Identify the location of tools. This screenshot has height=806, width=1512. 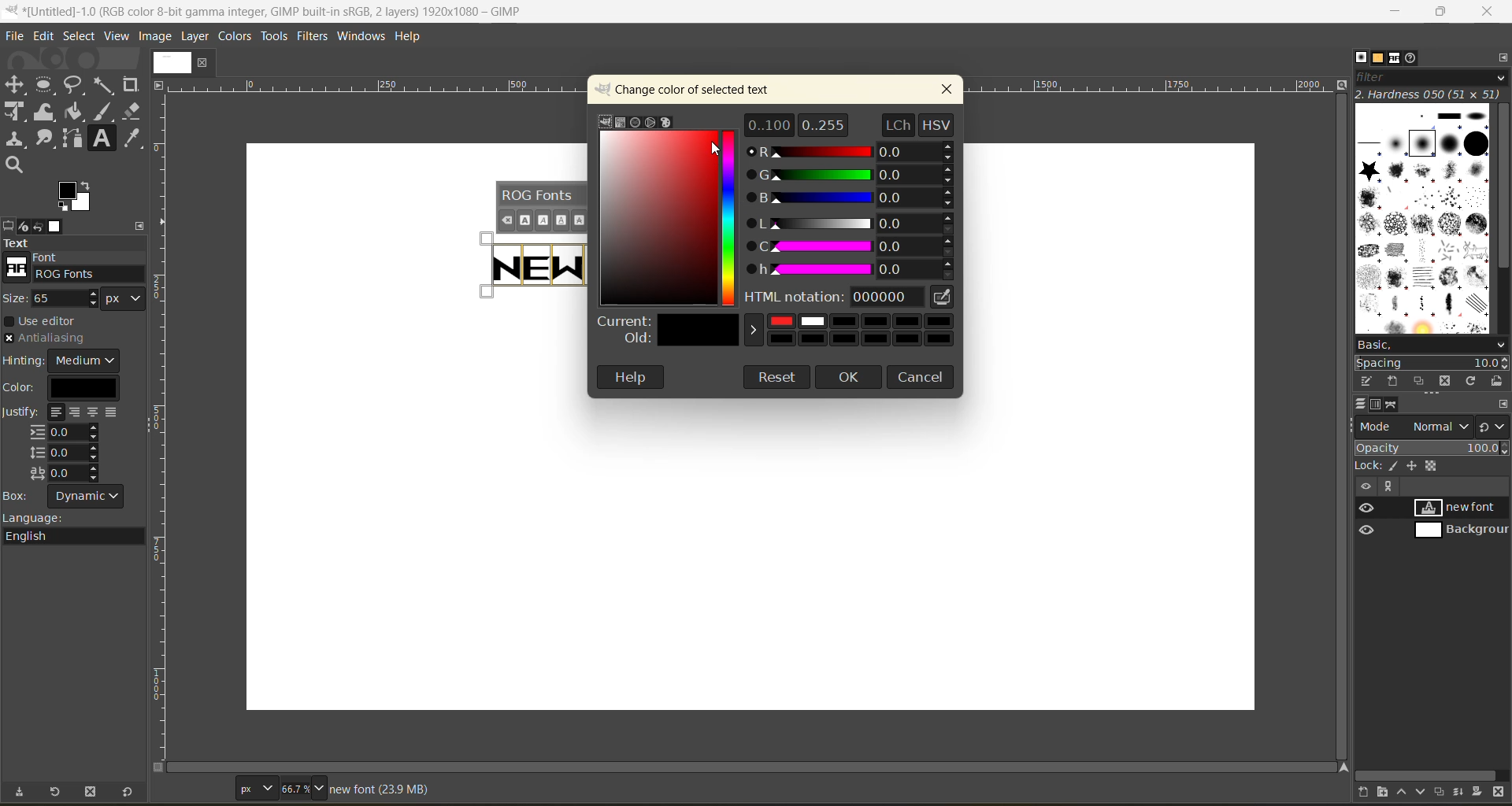
(75, 126).